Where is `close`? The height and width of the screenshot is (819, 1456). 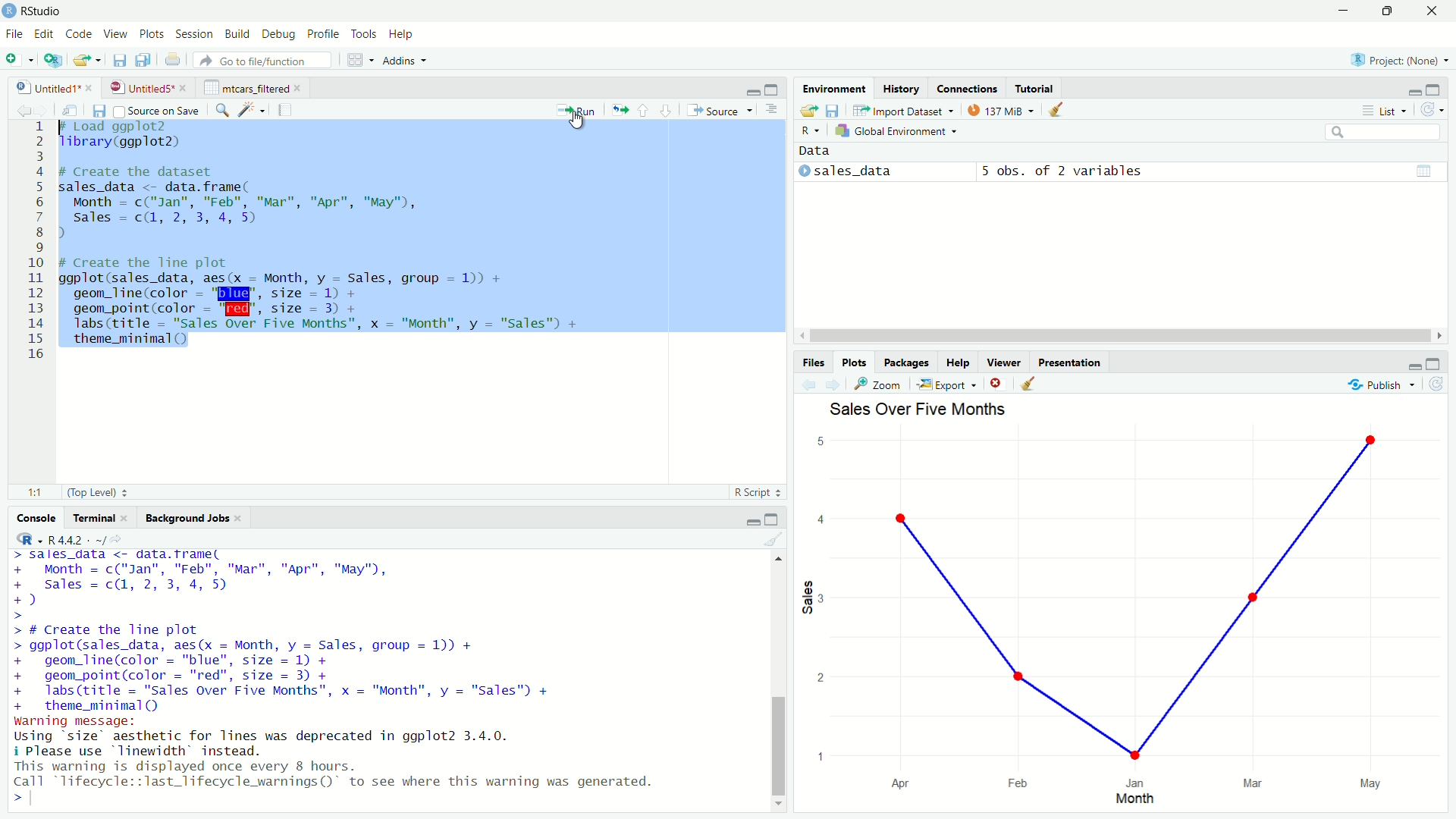
close is located at coordinates (240, 518).